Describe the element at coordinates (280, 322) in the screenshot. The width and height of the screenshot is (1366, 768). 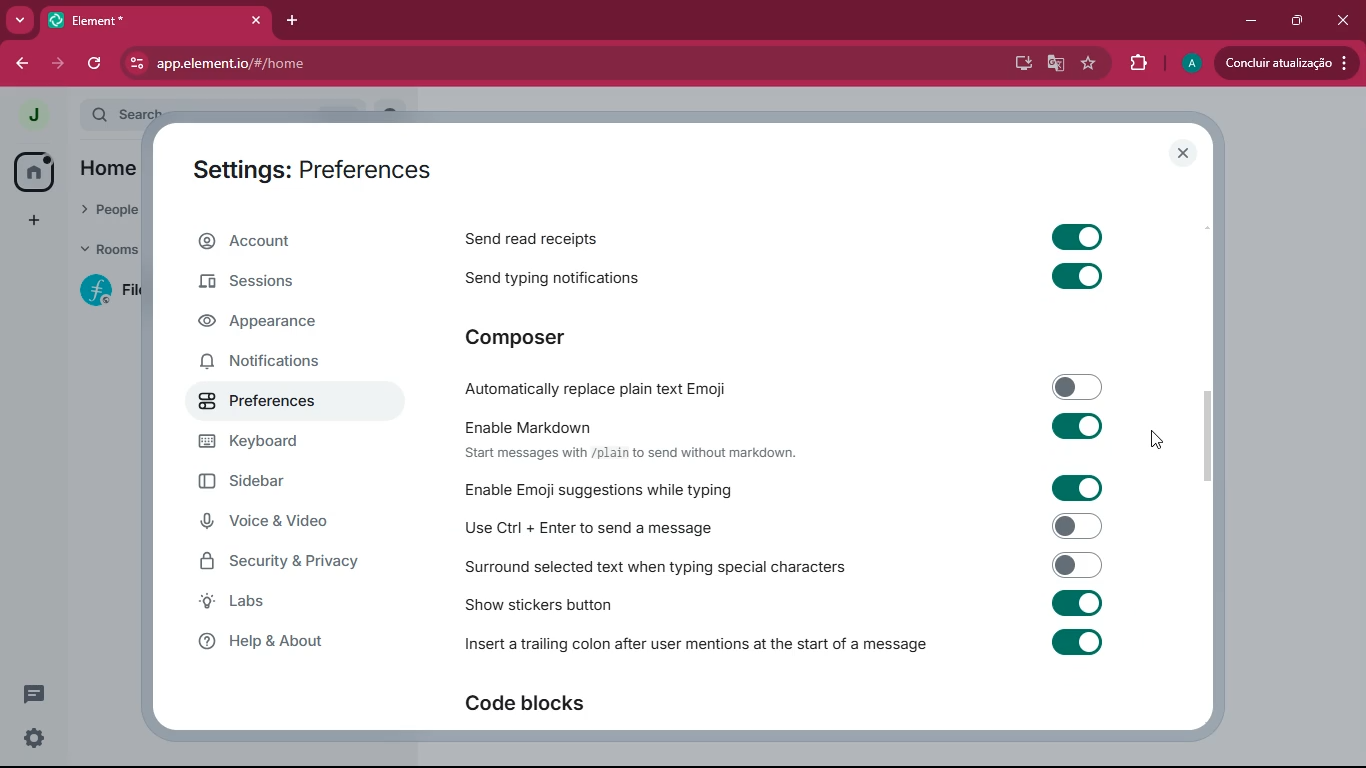
I see `appearance` at that location.